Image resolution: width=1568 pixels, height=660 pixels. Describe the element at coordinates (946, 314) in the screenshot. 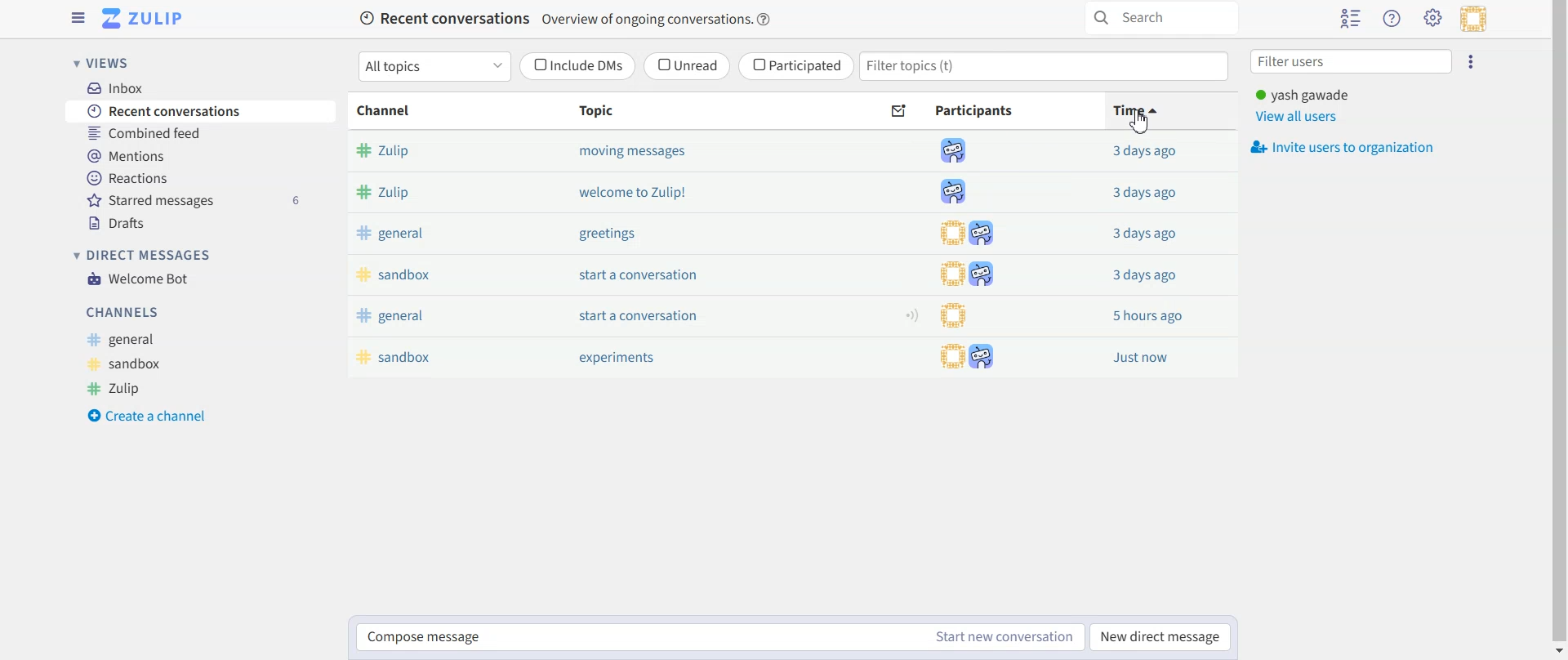

I see `participants` at that location.